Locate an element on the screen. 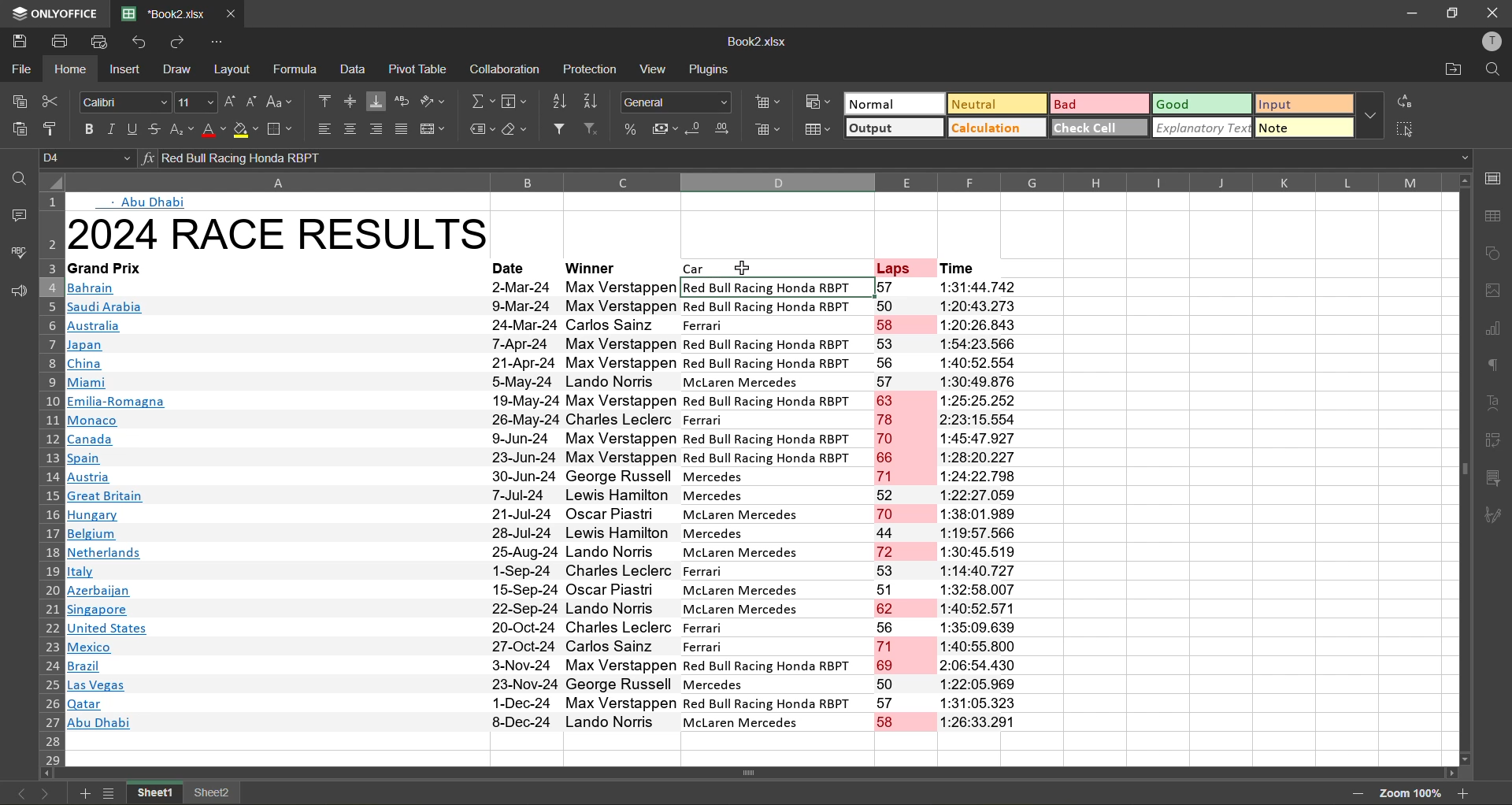 Image resolution: width=1512 pixels, height=805 pixels. protection is located at coordinates (591, 71).